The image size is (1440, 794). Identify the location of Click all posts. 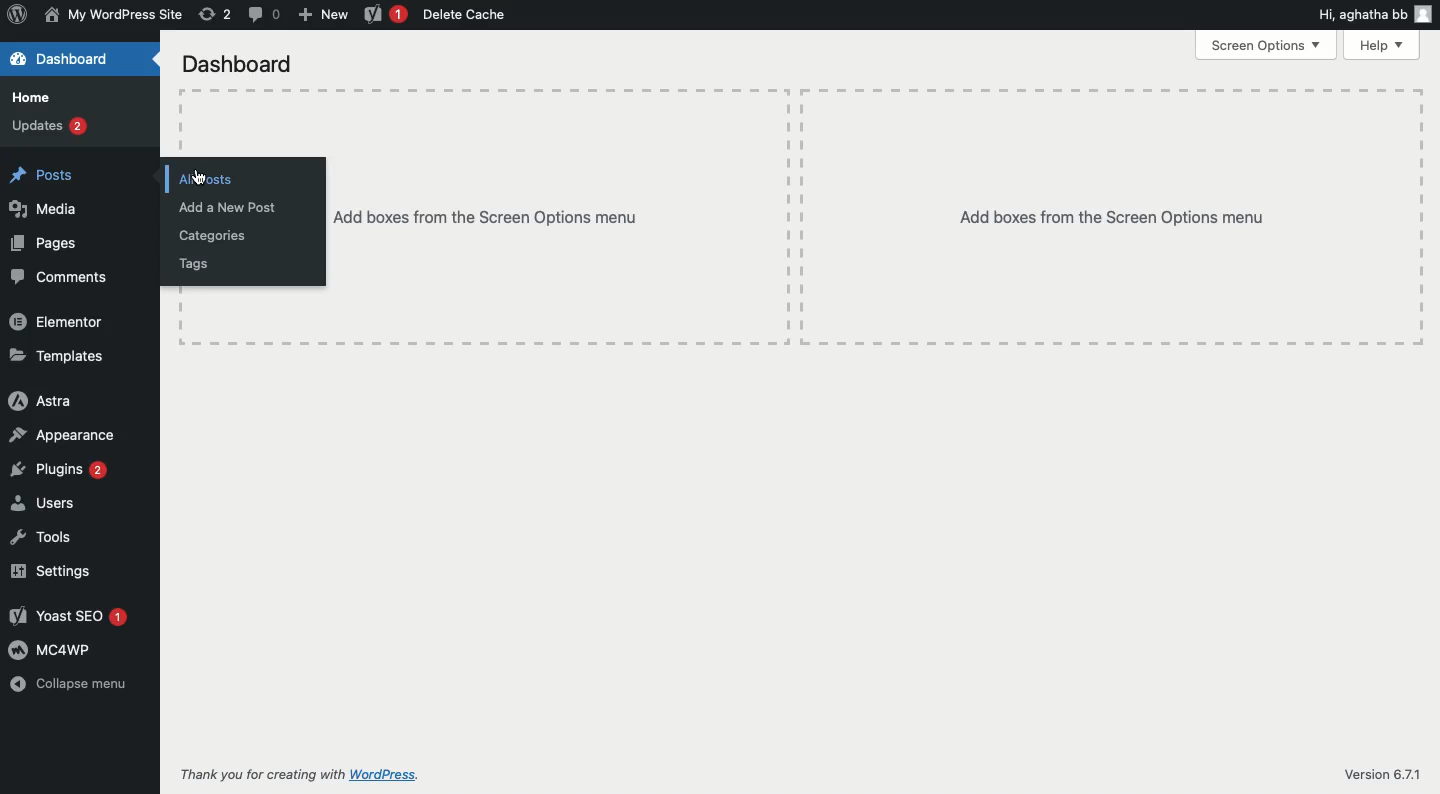
(199, 174).